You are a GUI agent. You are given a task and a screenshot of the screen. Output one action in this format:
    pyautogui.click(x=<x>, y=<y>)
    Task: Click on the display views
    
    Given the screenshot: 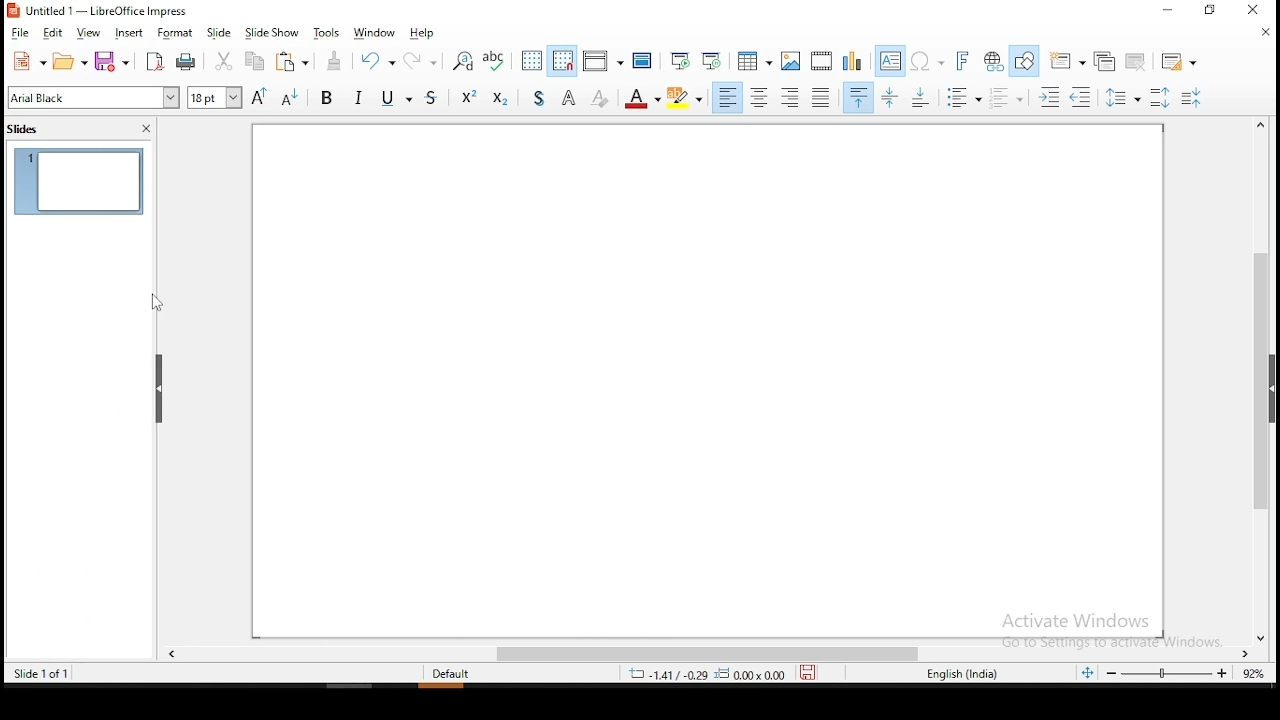 What is the action you would take?
    pyautogui.click(x=601, y=58)
    